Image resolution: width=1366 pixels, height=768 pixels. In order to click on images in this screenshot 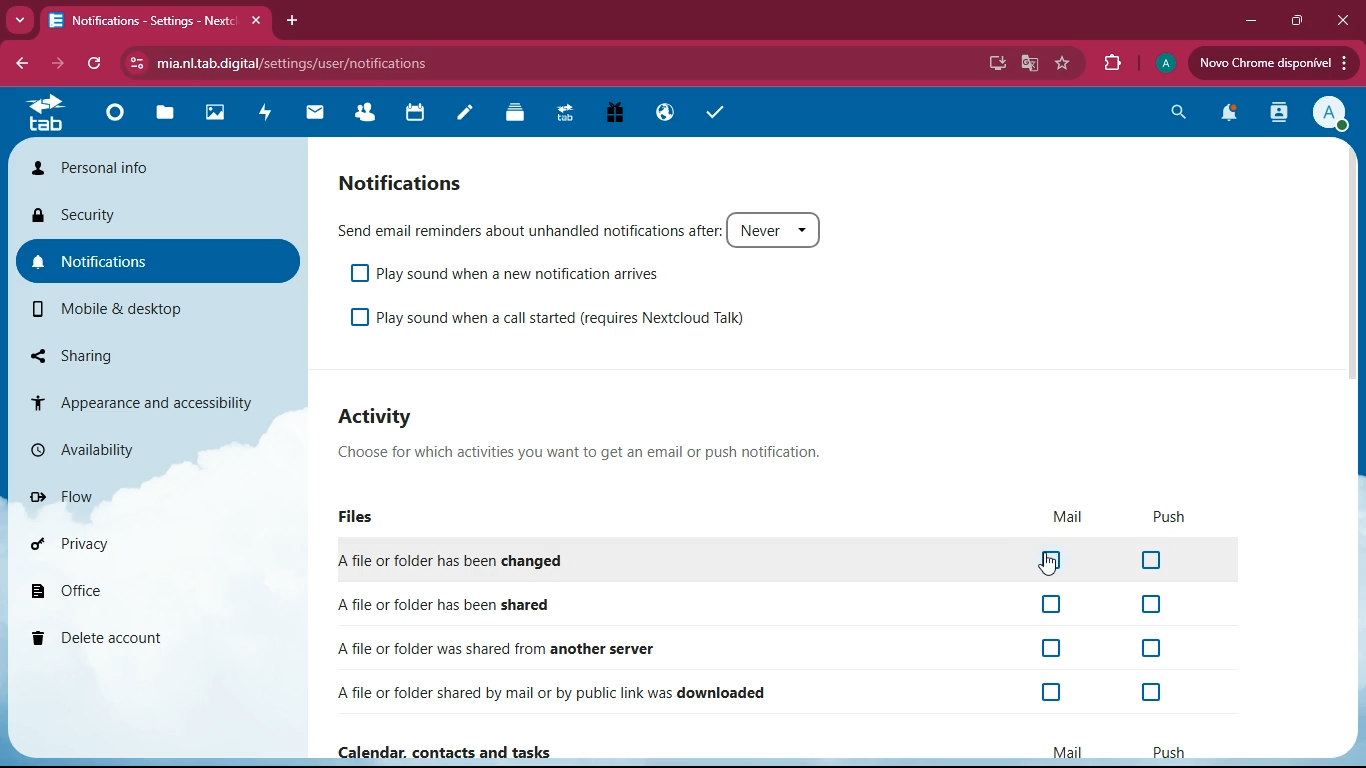, I will do `click(213, 115)`.